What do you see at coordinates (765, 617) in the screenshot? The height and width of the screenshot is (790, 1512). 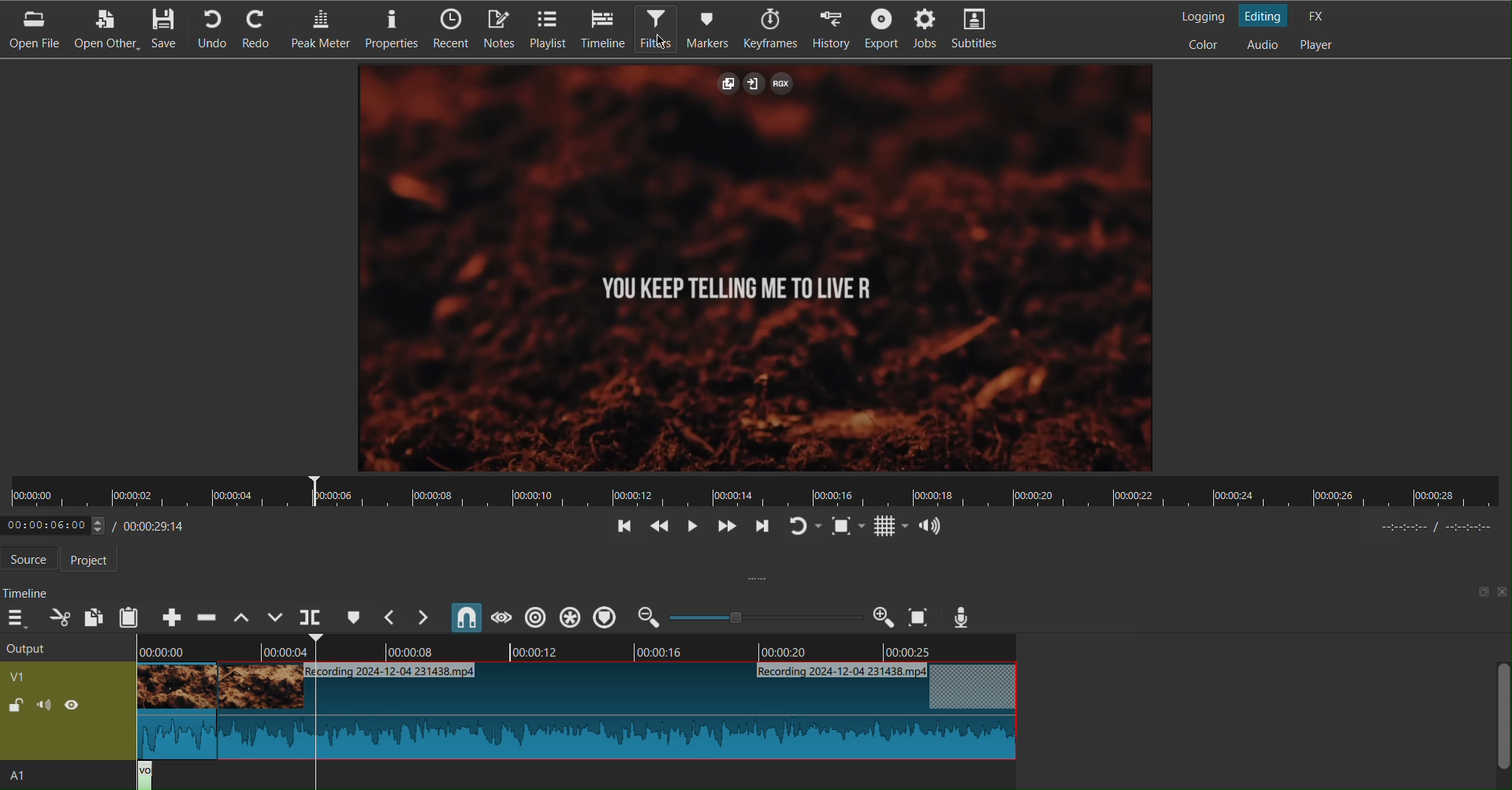 I see `Zoom` at bounding box center [765, 617].